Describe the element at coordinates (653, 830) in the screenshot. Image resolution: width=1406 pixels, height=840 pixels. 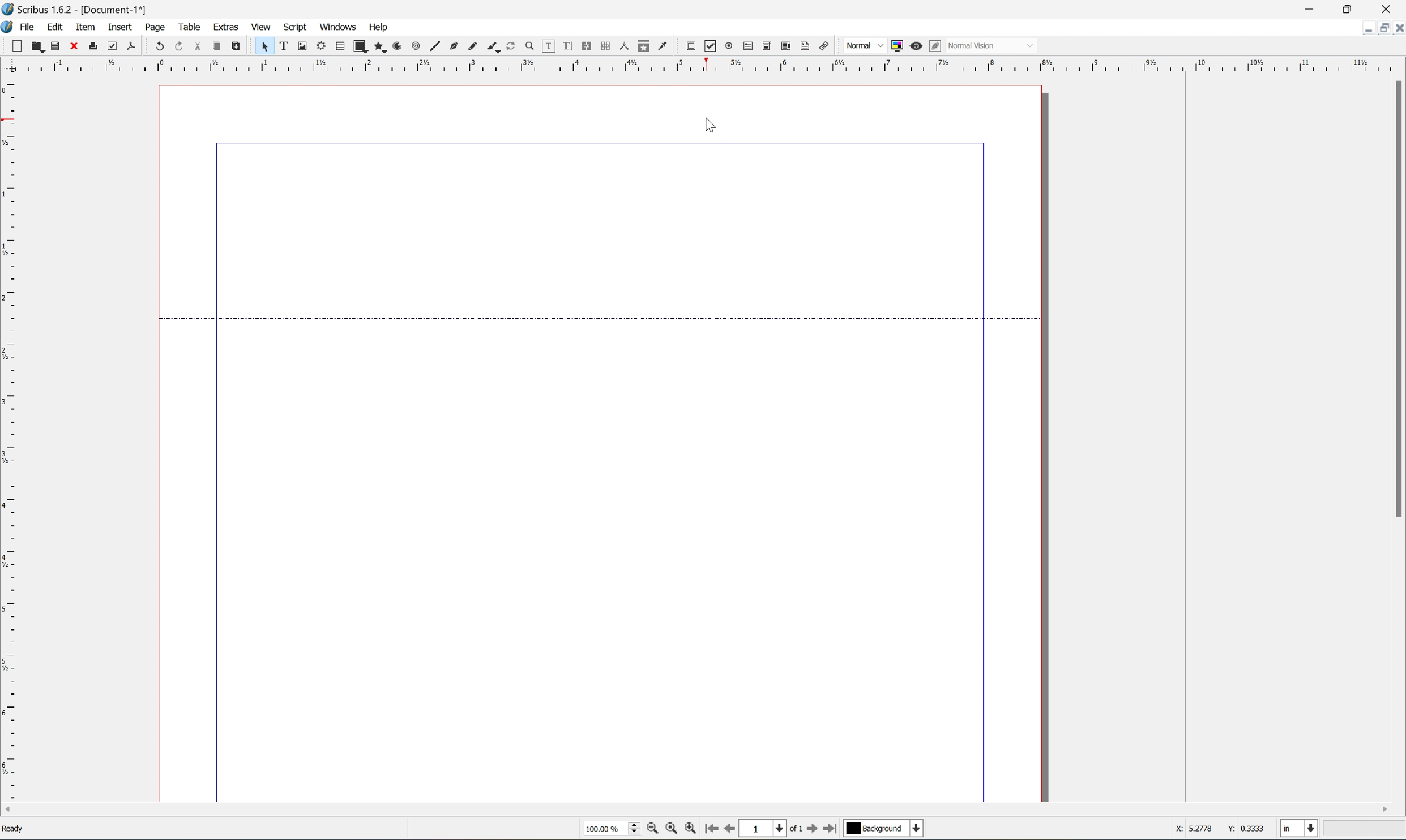
I see `zoom out` at that location.